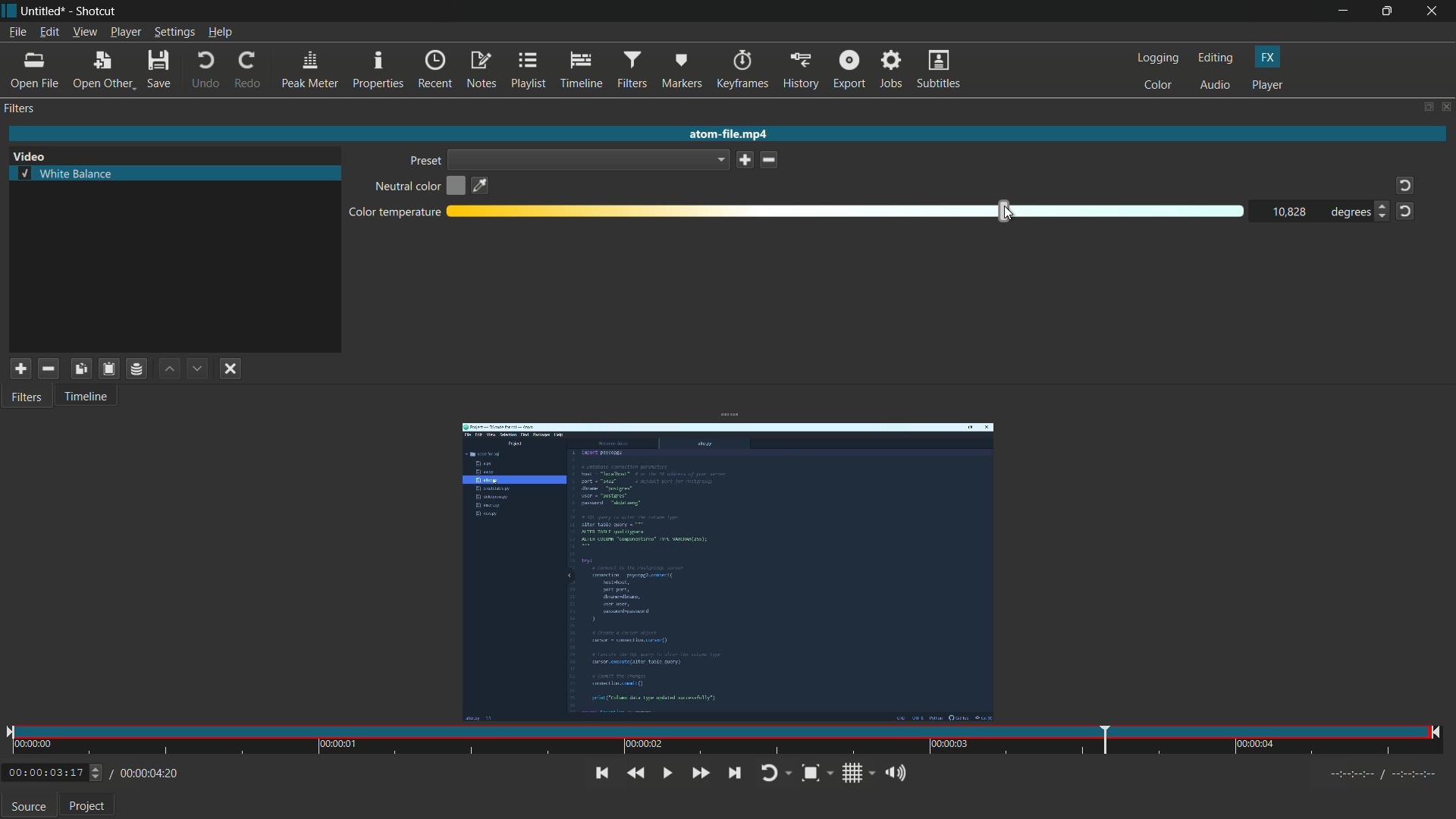  I want to click on decrease, so click(1384, 220).